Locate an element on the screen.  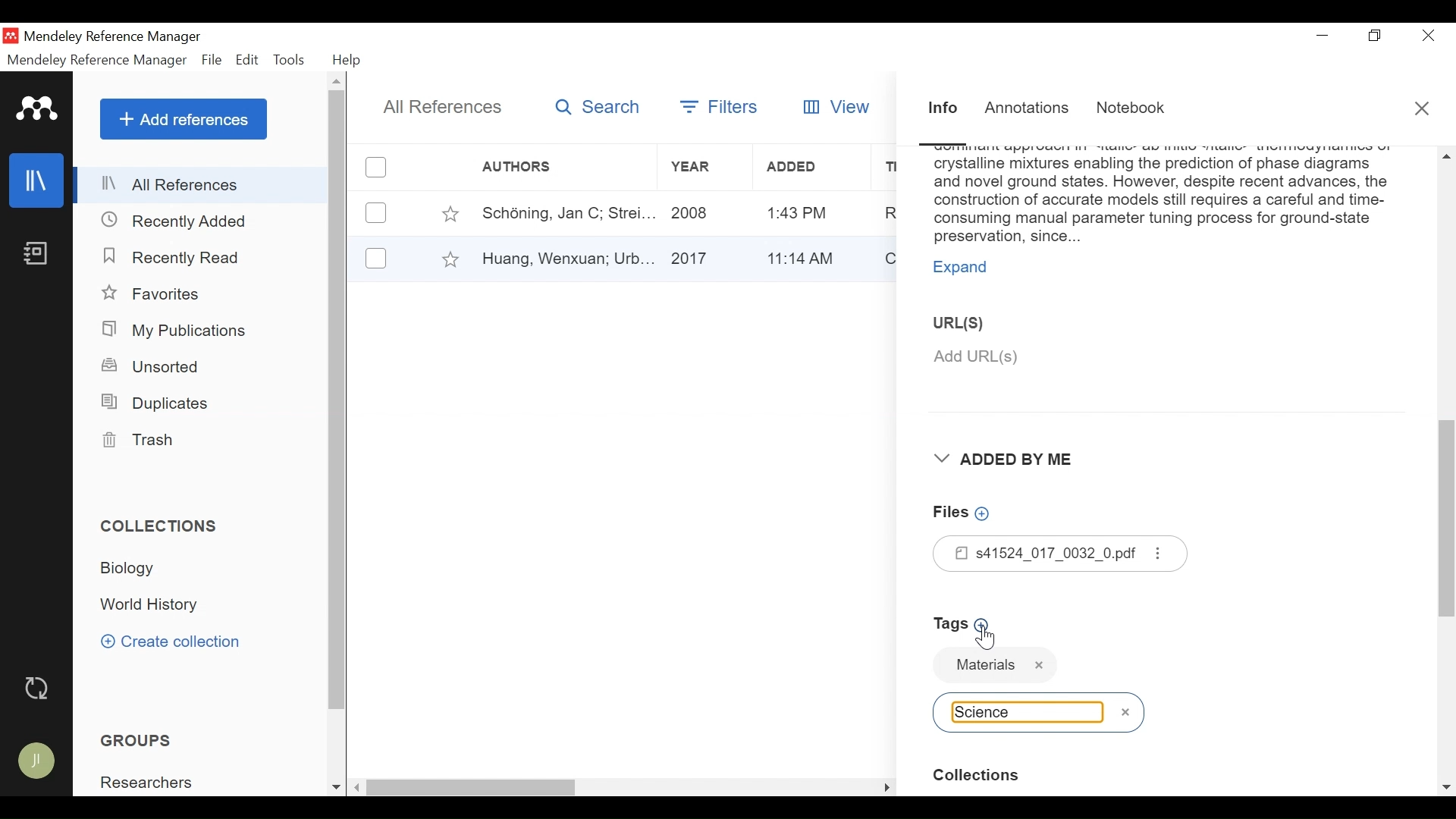
Scroll Right is located at coordinates (887, 787).